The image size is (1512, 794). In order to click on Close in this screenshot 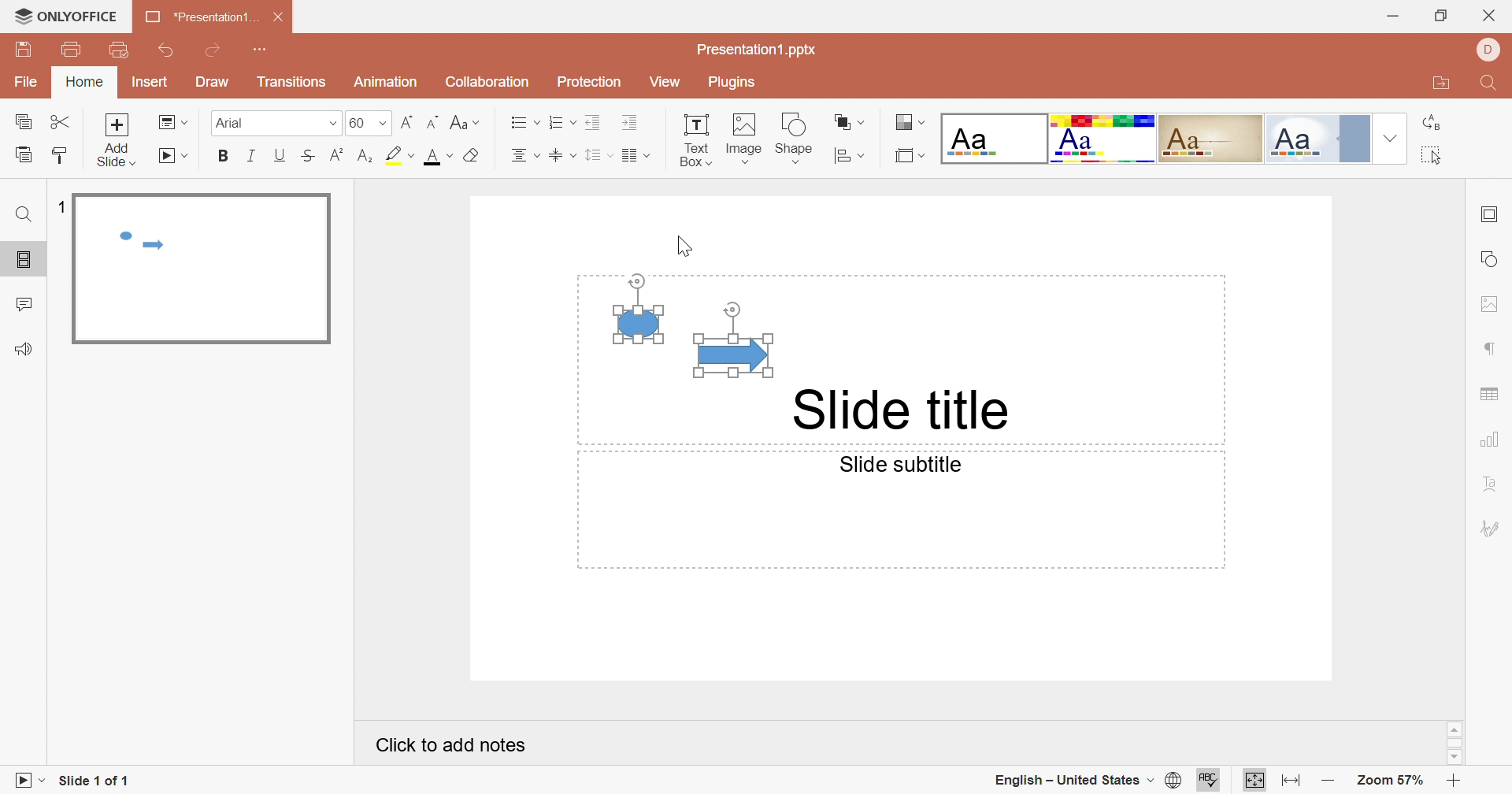, I will do `click(280, 18)`.